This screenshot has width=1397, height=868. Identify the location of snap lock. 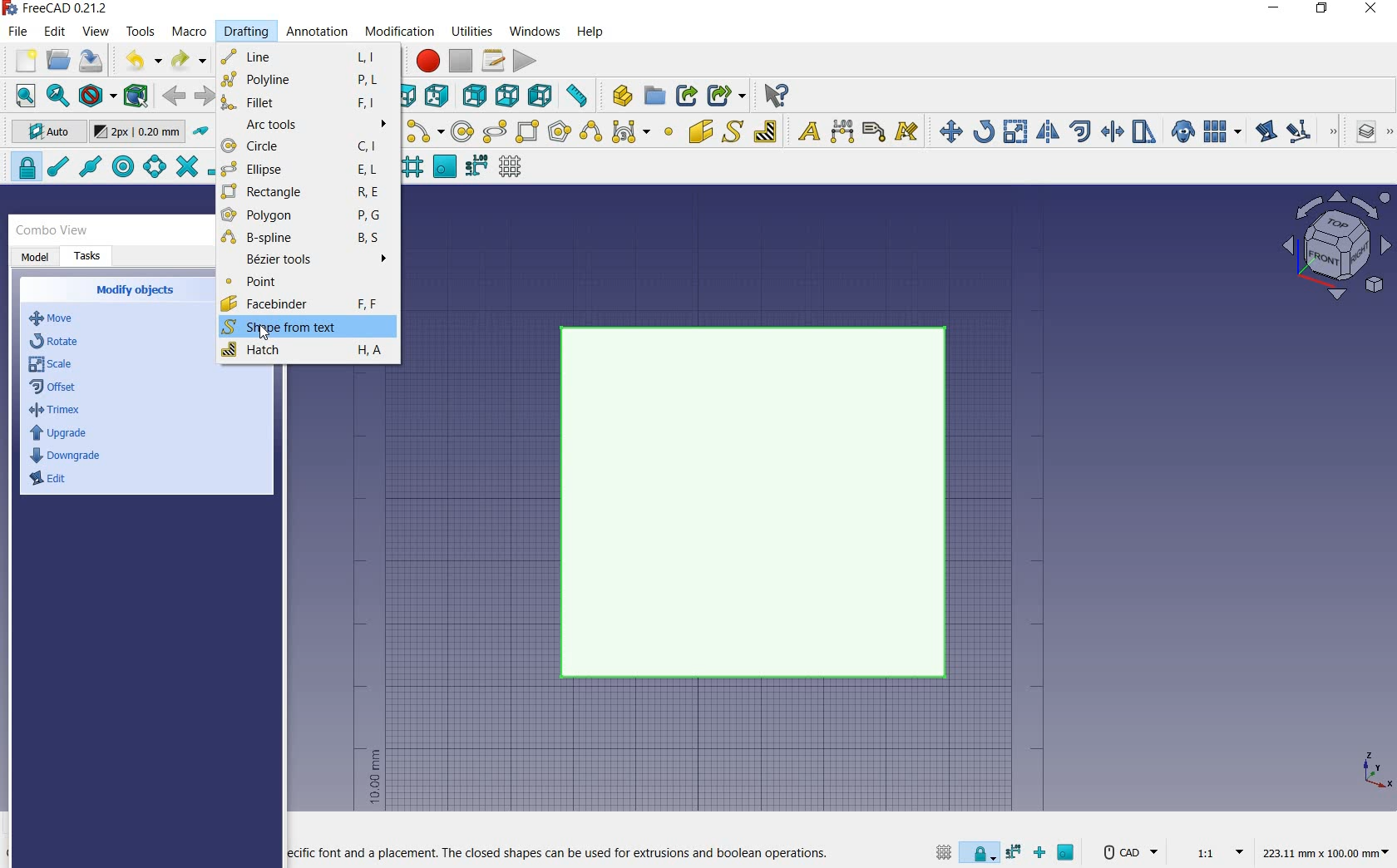
(981, 849).